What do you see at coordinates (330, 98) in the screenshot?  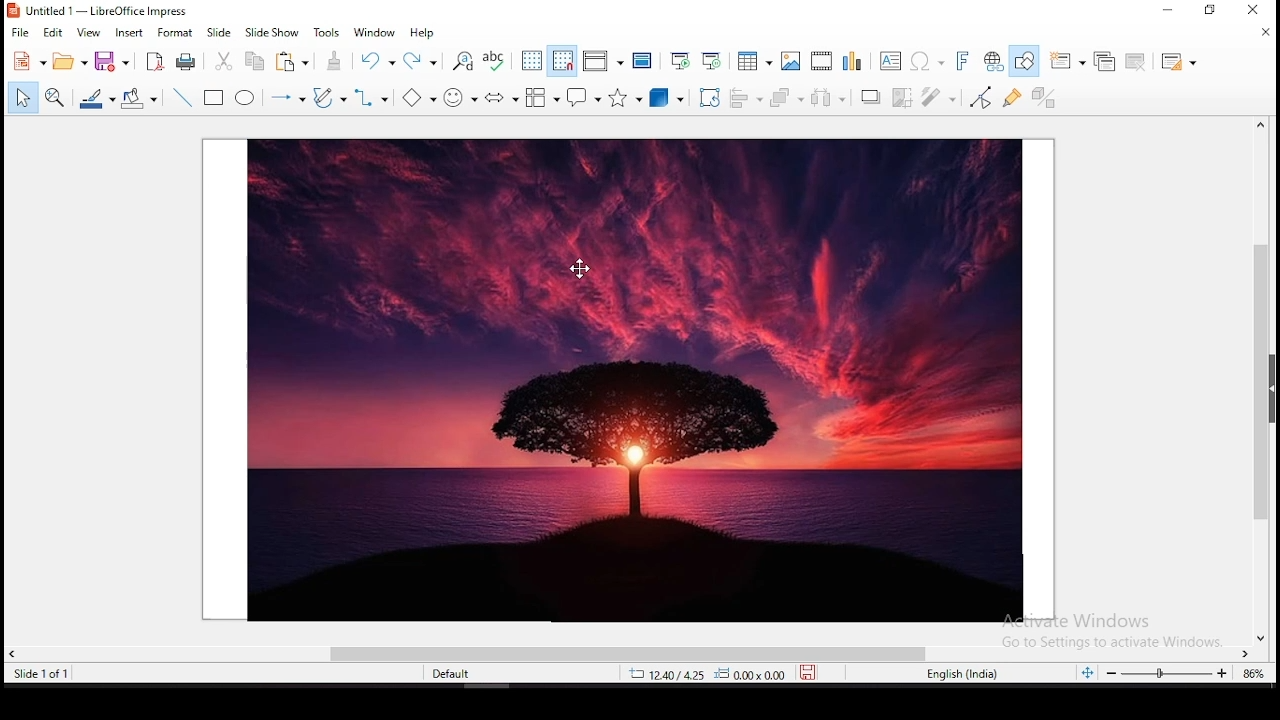 I see `curves and polygons` at bounding box center [330, 98].